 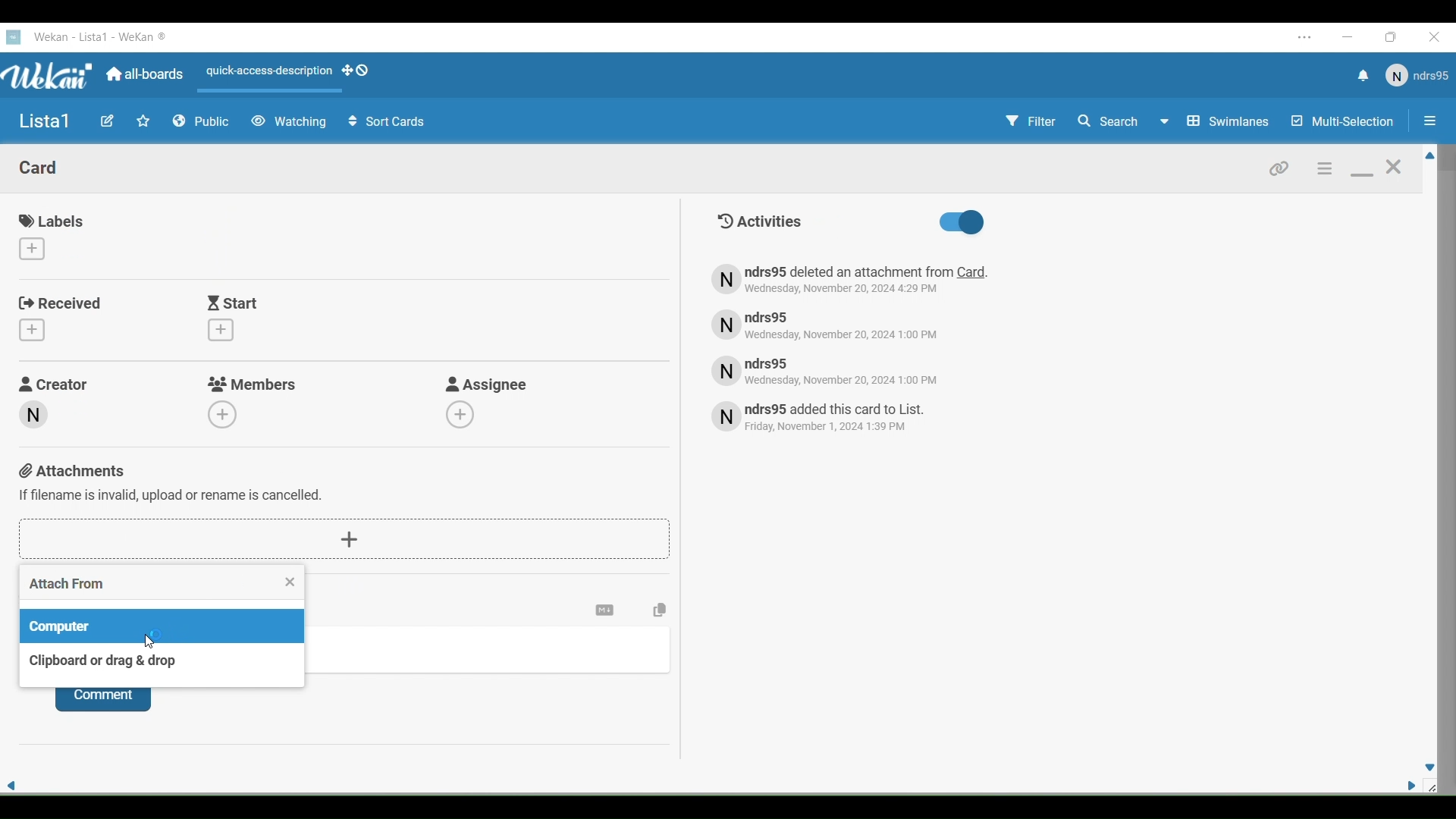 I want to click on Settings, so click(x=1323, y=168).